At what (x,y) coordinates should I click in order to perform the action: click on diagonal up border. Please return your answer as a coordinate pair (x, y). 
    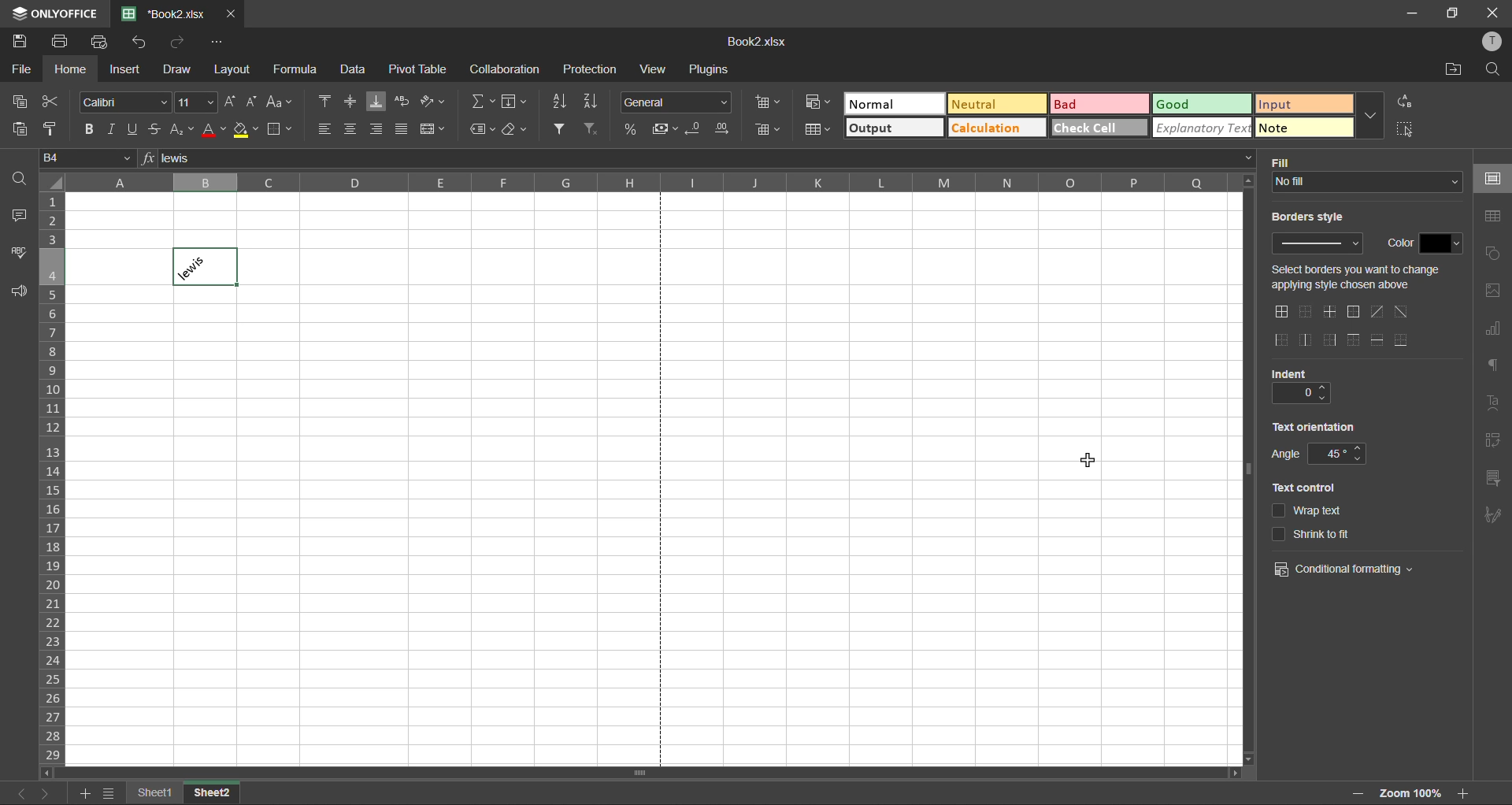
    Looking at the image, I should click on (1375, 312).